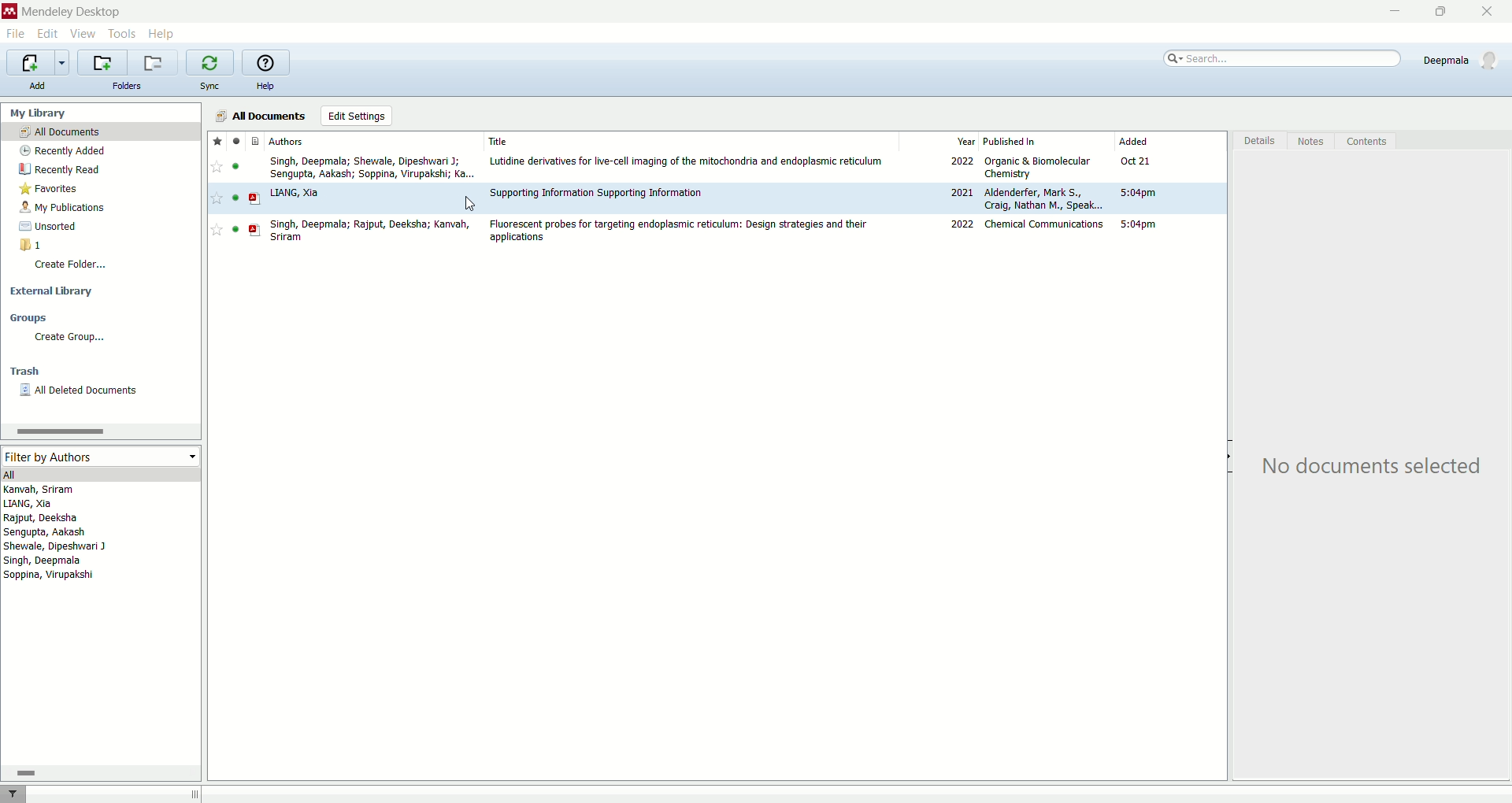 This screenshot has width=1512, height=803. Describe the element at coordinates (99, 431) in the screenshot. I see `horizontal scroll bar` at that location.